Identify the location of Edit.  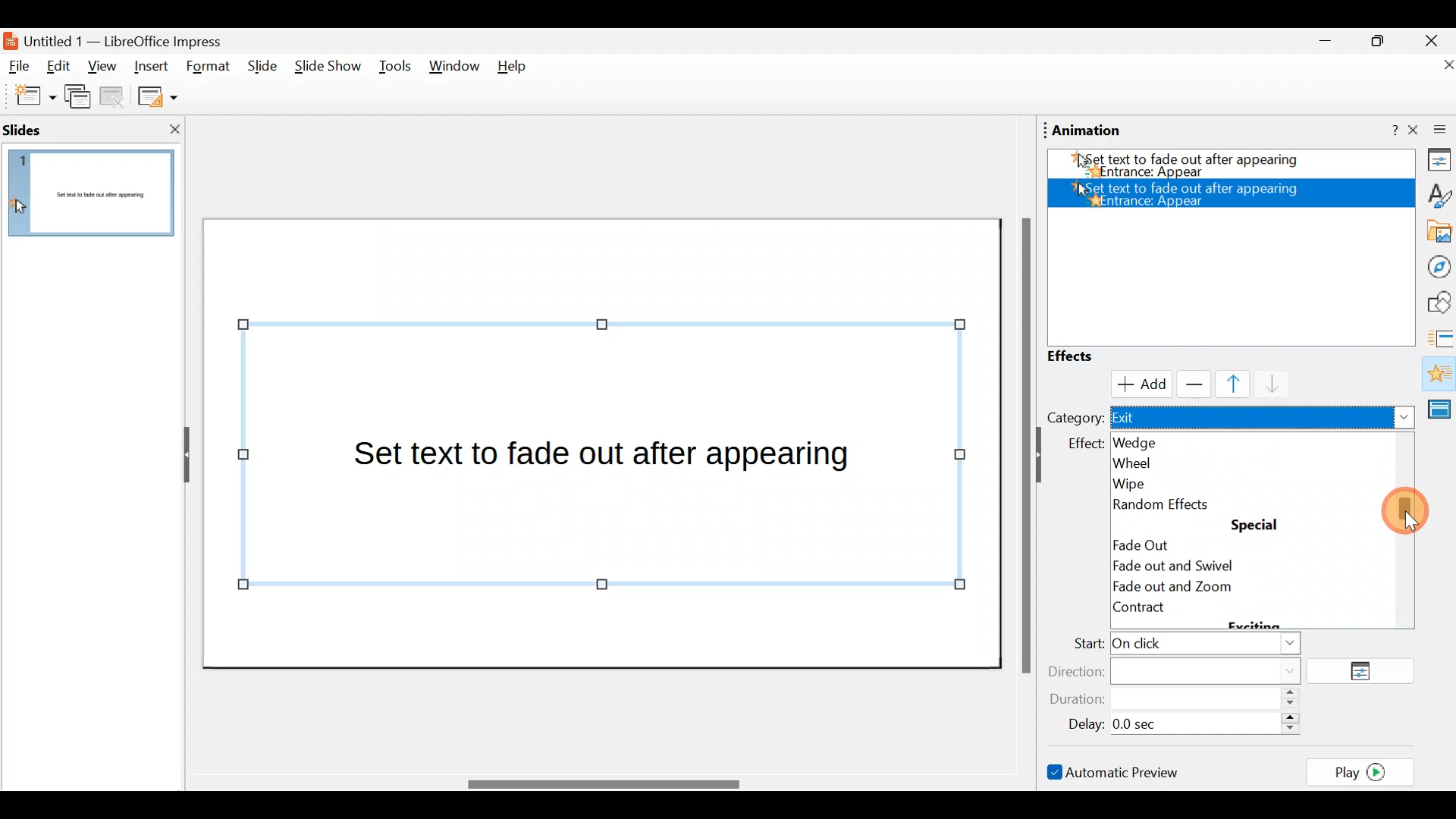
(64, 67).